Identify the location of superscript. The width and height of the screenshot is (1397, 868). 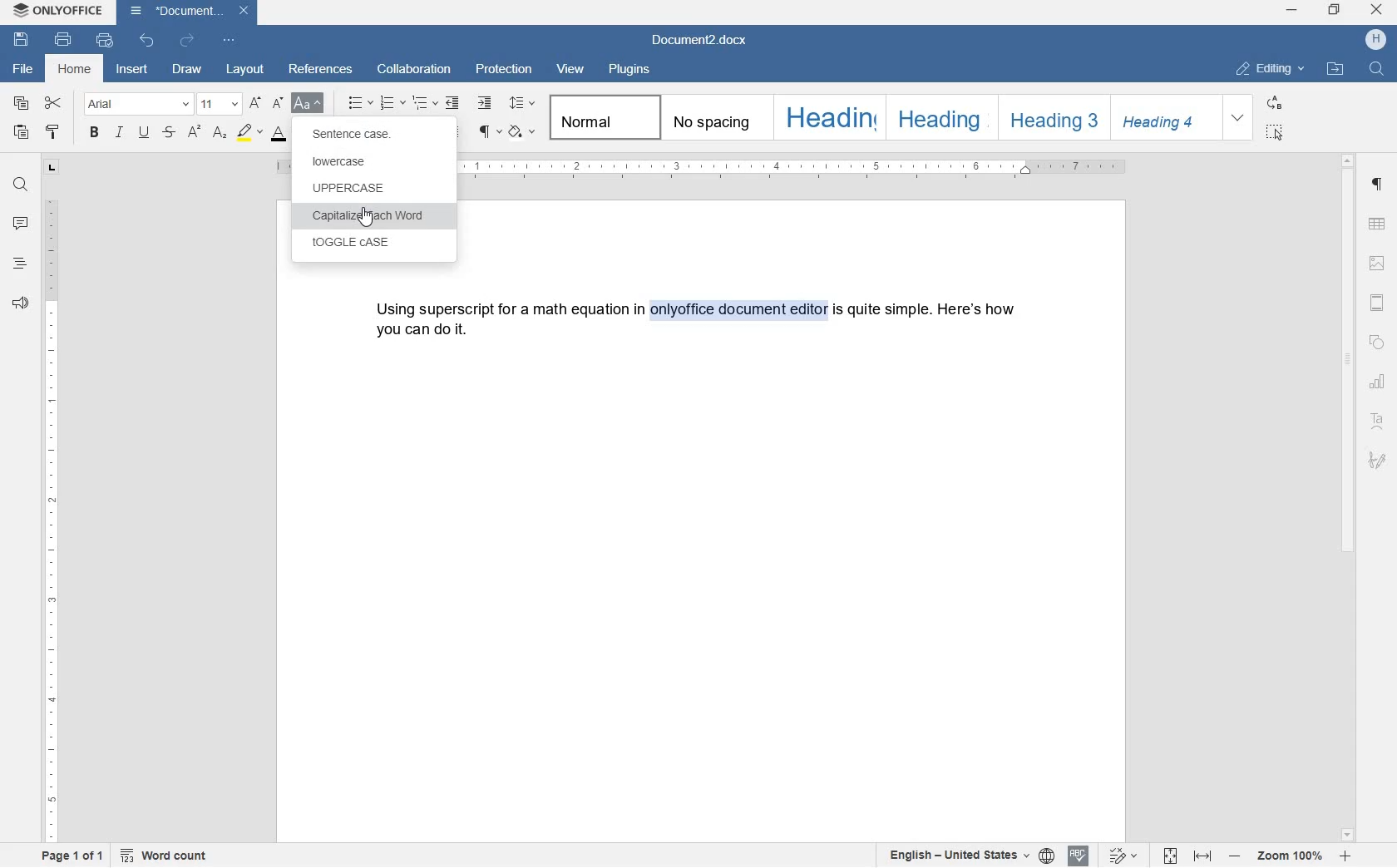
(195, 132).